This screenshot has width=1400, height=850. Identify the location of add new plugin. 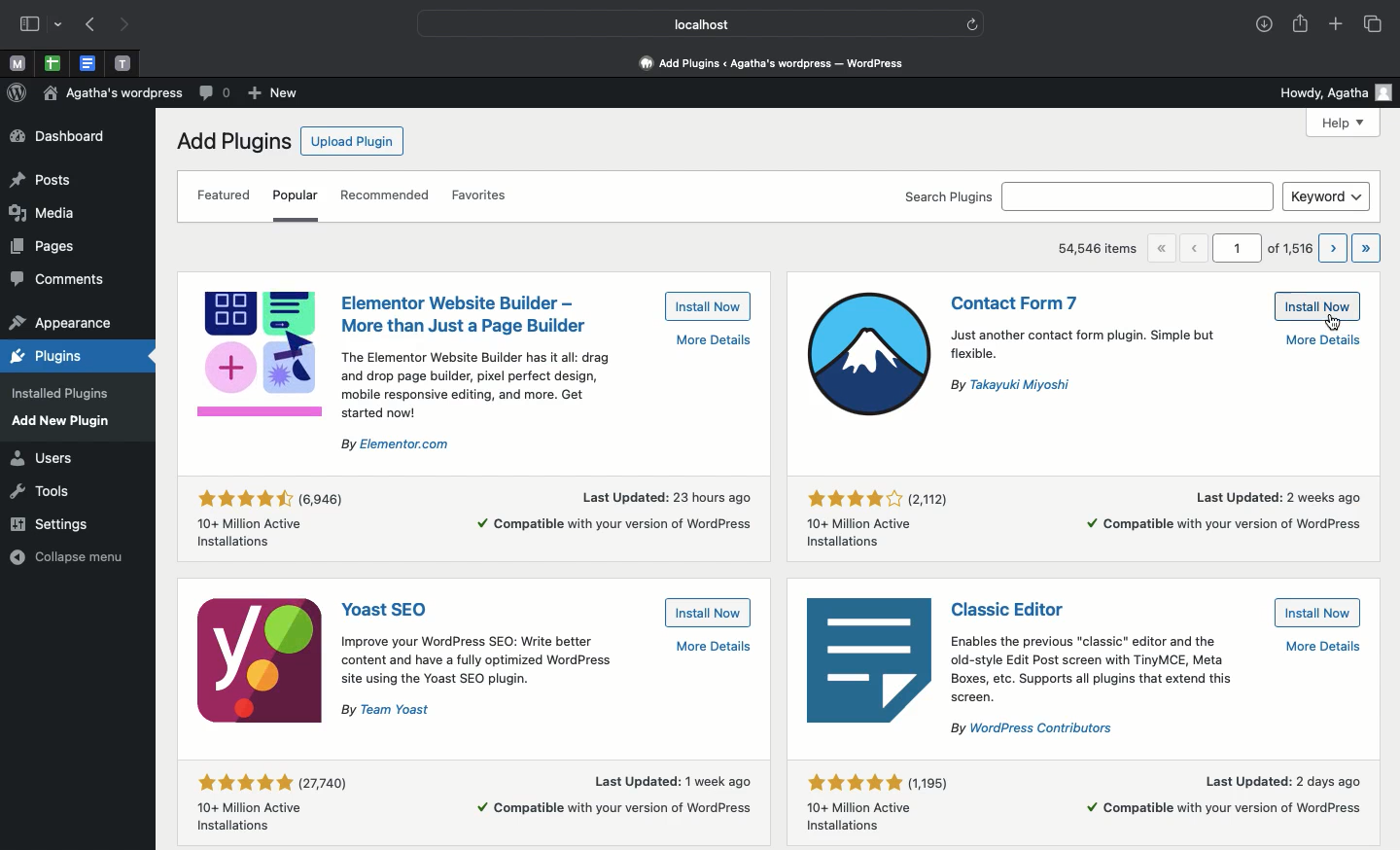
(66, 421).